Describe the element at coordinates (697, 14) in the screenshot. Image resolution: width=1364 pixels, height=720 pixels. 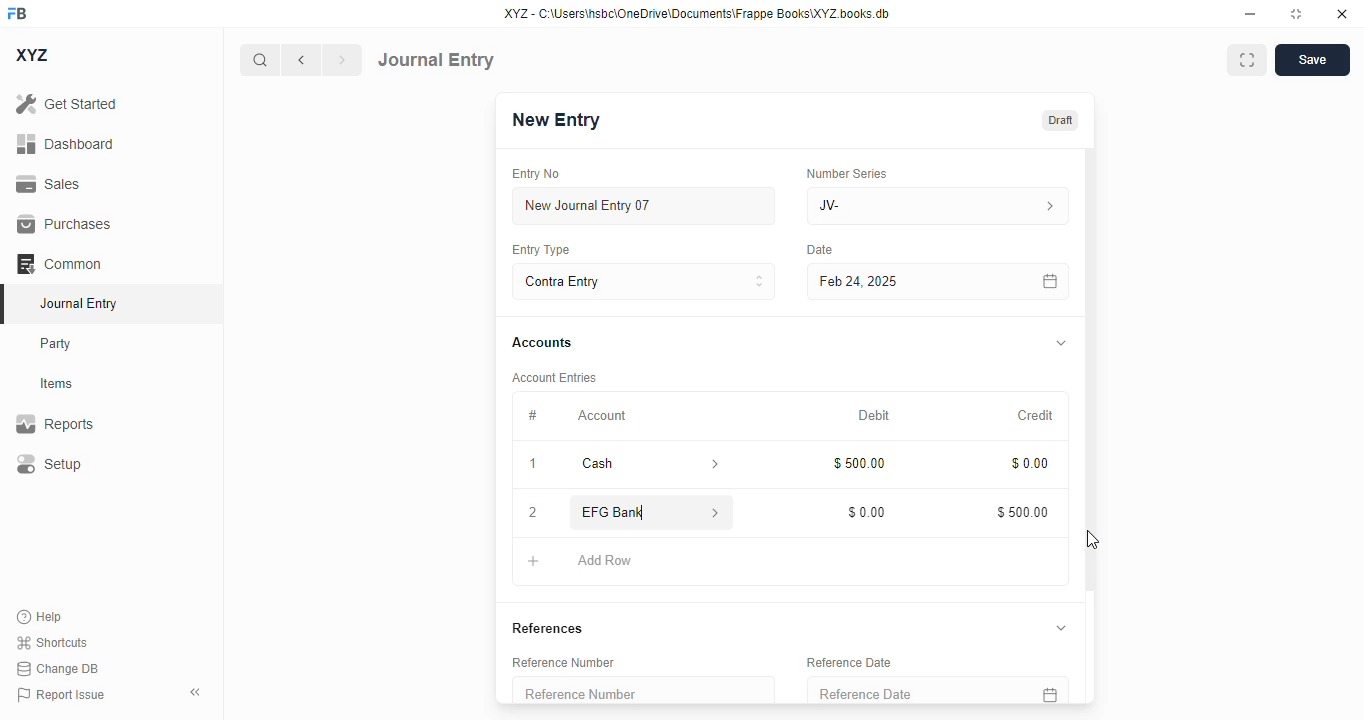
I see `XYZ - C:\Users\hsbc\OneDrive\Documents\Frappe Books\XYZ books. db` at that location.